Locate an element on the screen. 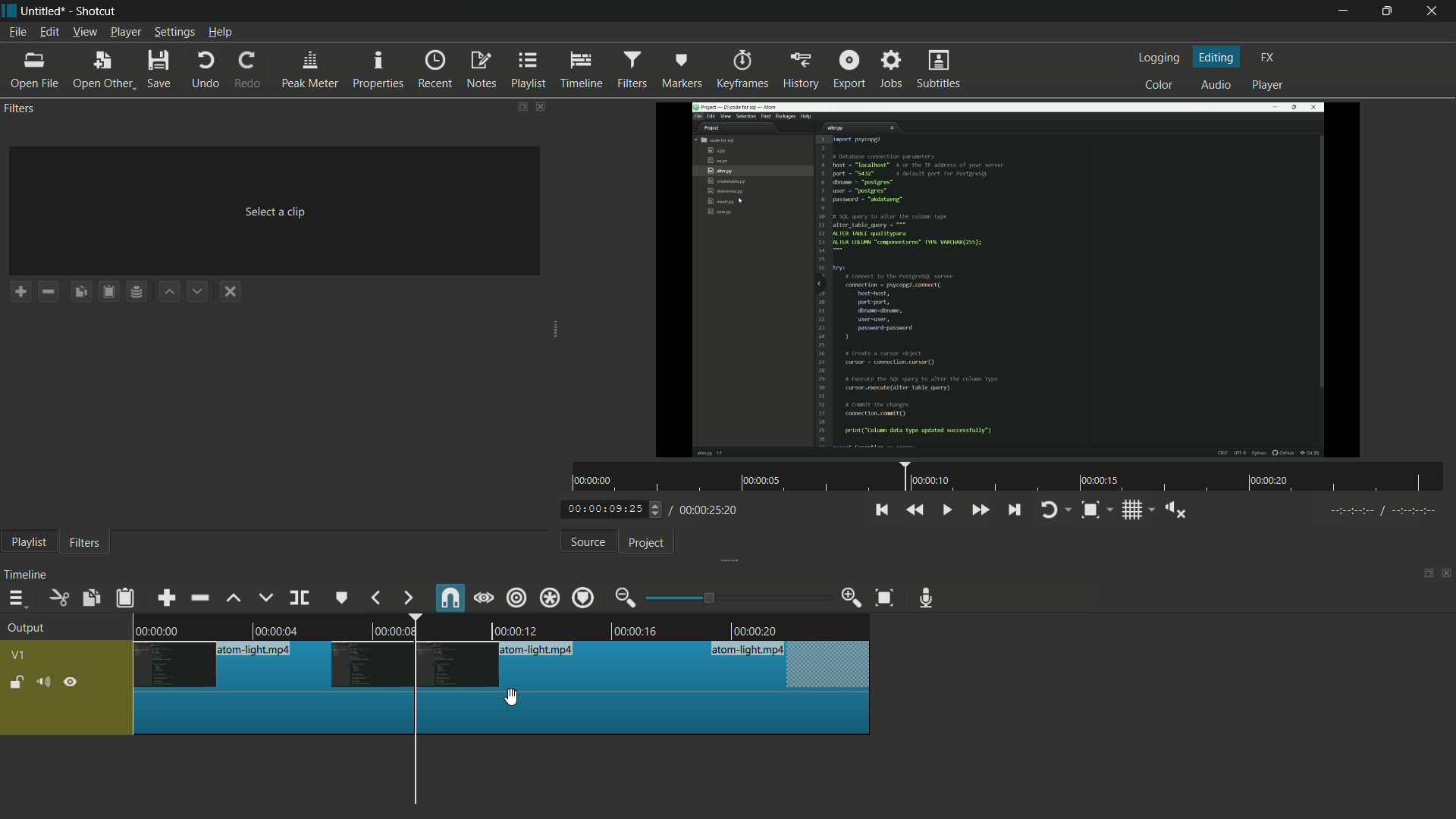  add a filter is located at coordinates (20, 291).